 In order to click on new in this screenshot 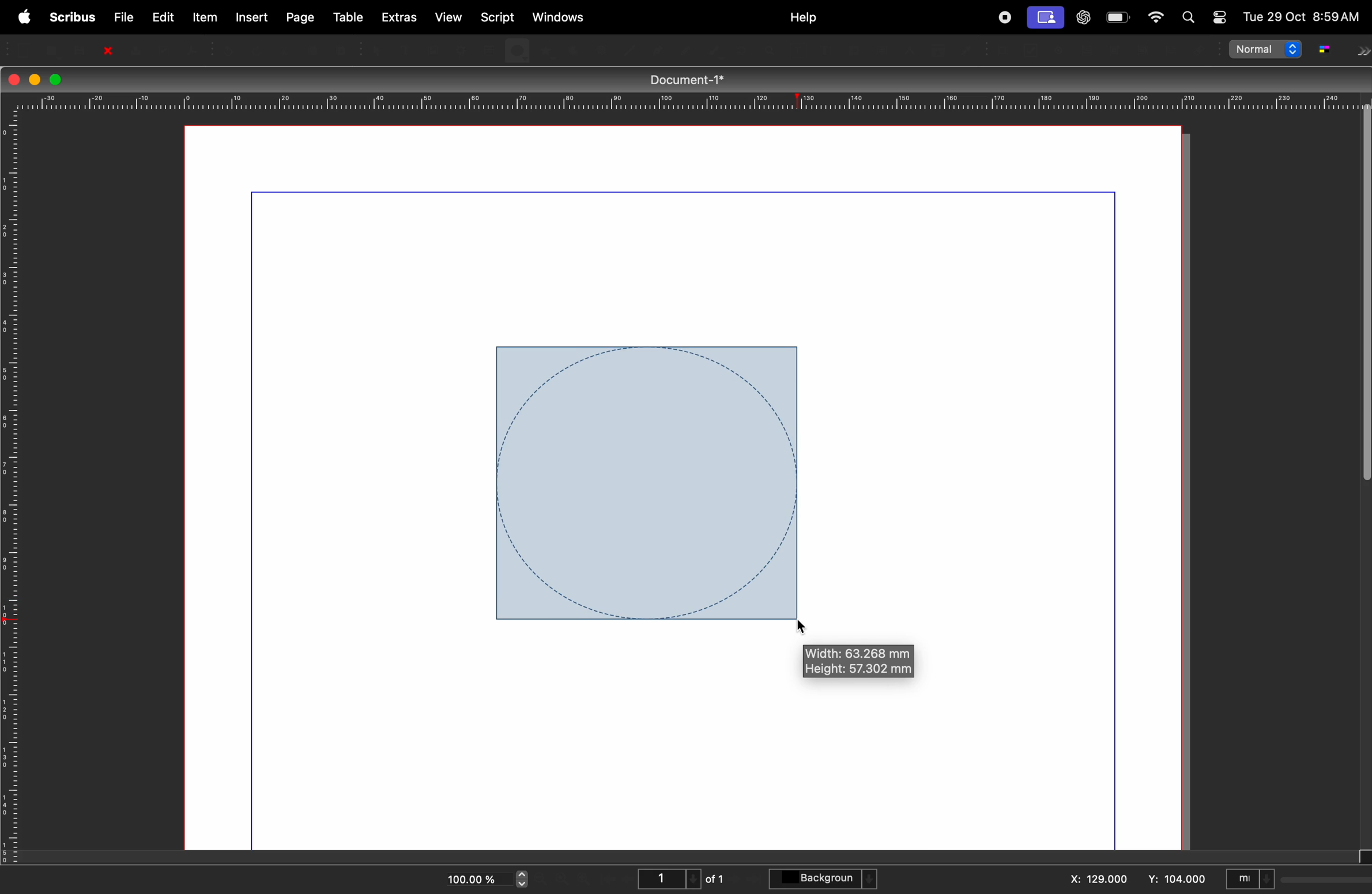, I will do `click(25, 48)`.